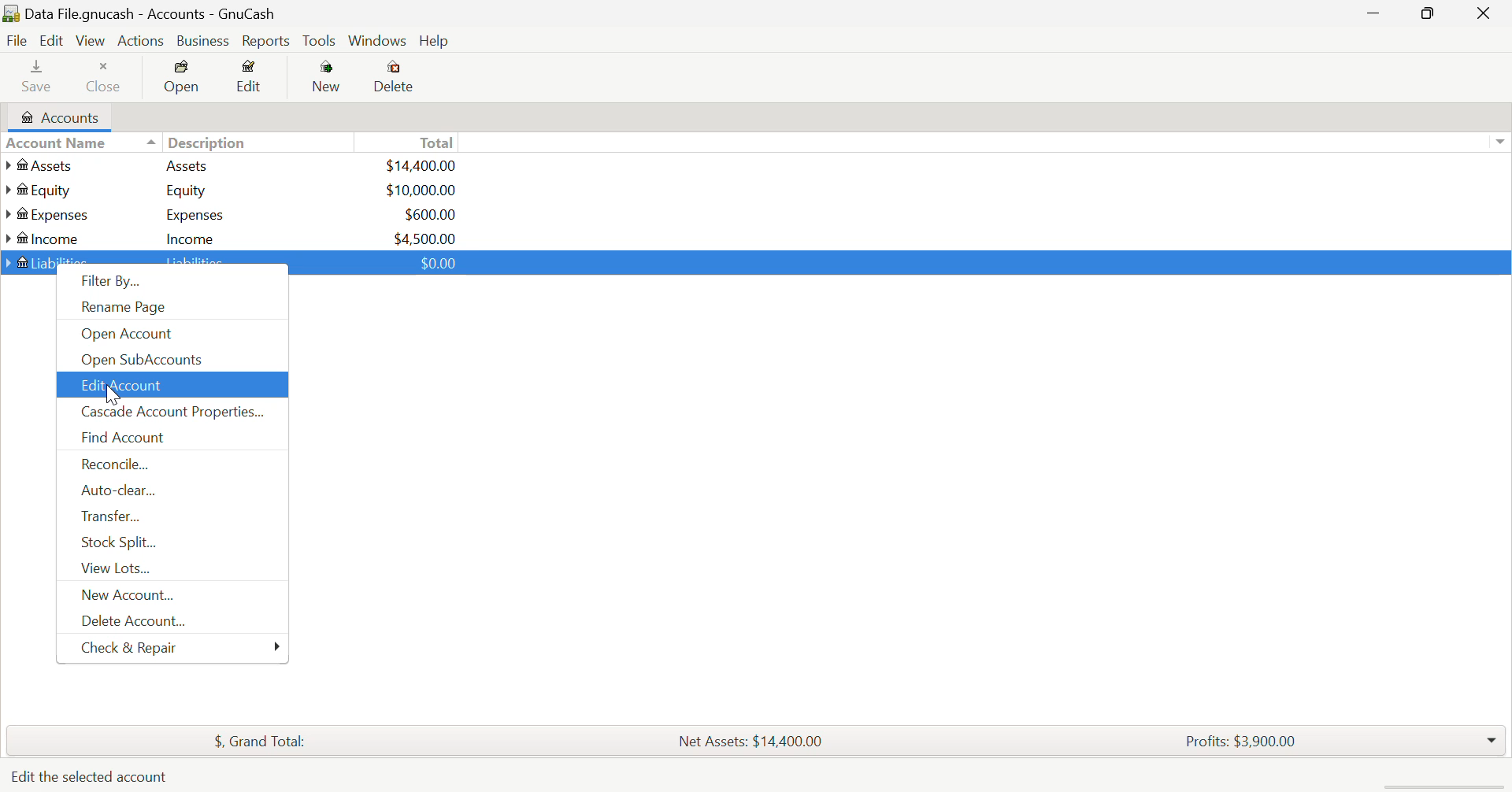 The height and width of the screenshot is (792, 1512). What do you see at coordinates (175, 285) in the screenshot?
I see `Filter By` at bounding box center [175, 285].